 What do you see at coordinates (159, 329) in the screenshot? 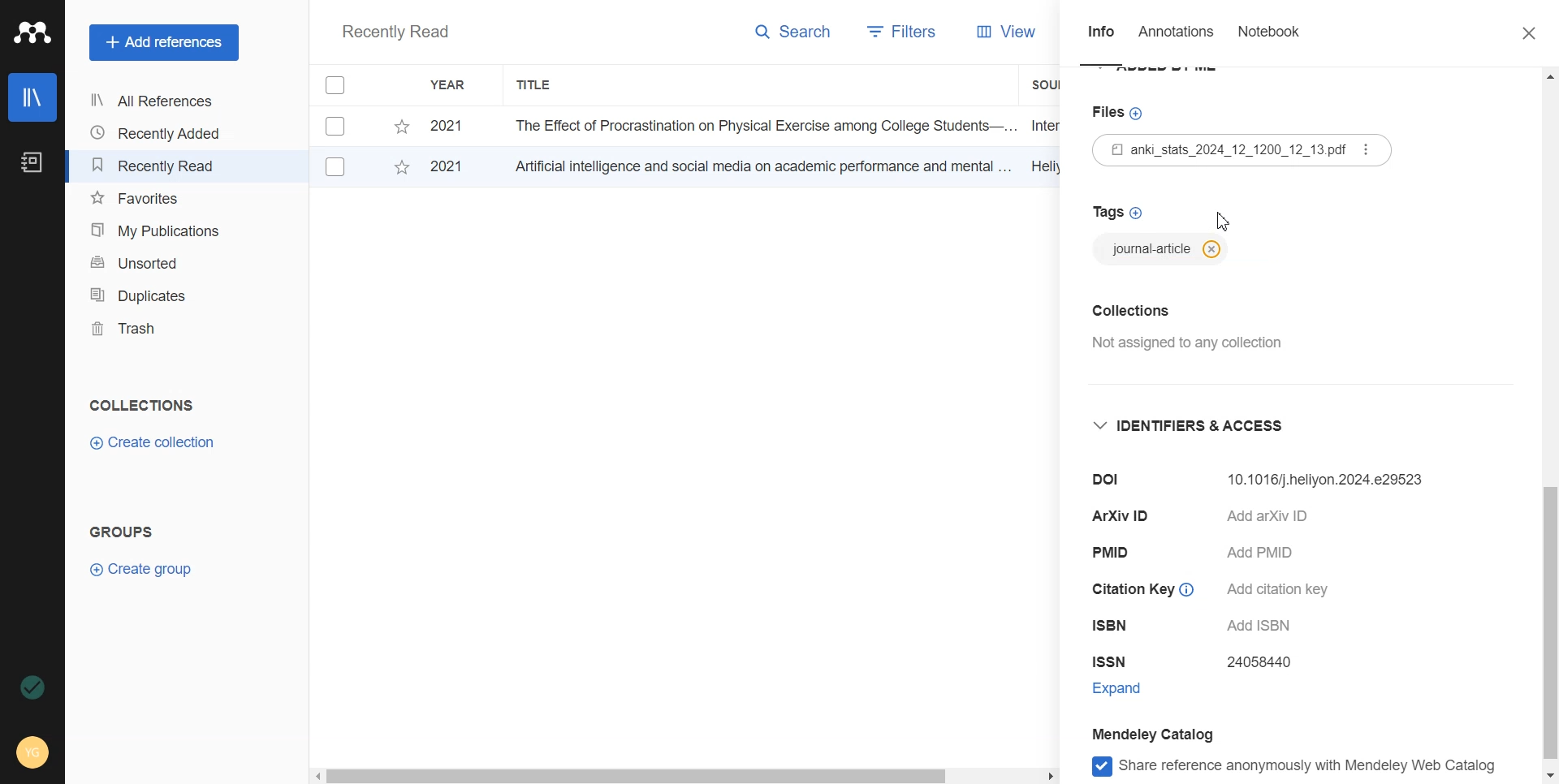
I see `Trash` at bounding box center [159, 329].